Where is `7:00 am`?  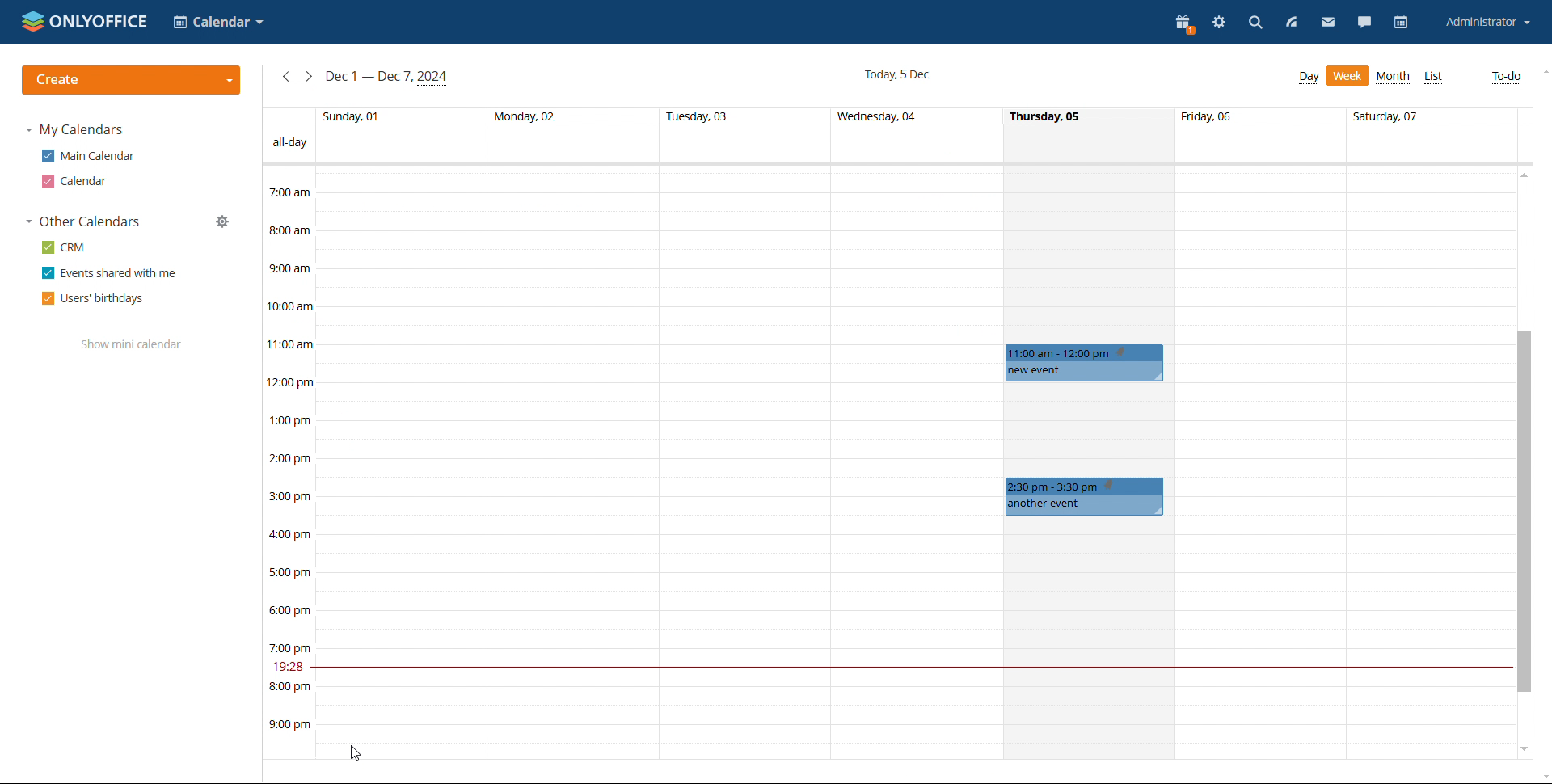 7:00 am is located at coordinates (290, 194).